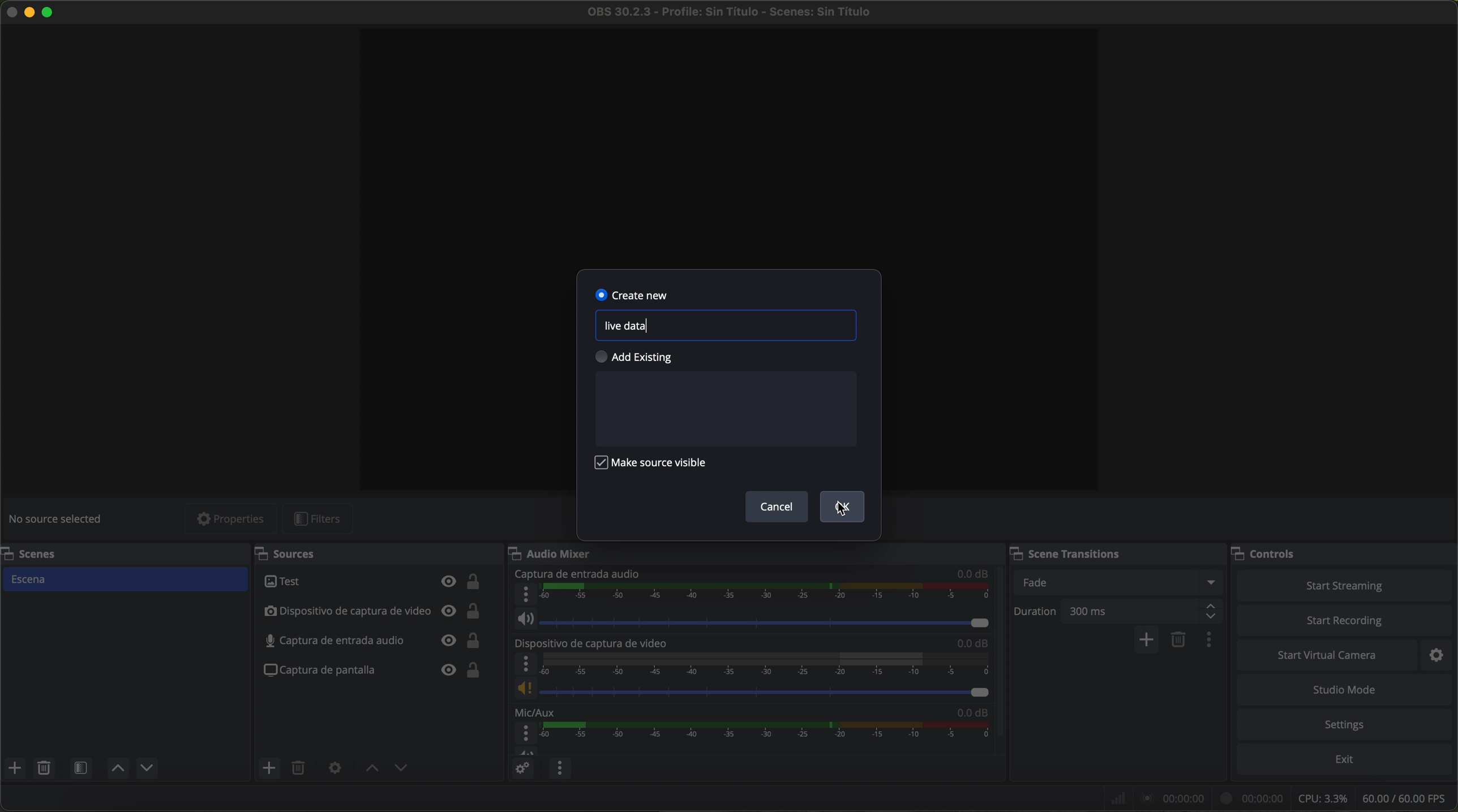 This screenshot has width=1458, height=812. I want to click on transition properties, so click(1211, 641).